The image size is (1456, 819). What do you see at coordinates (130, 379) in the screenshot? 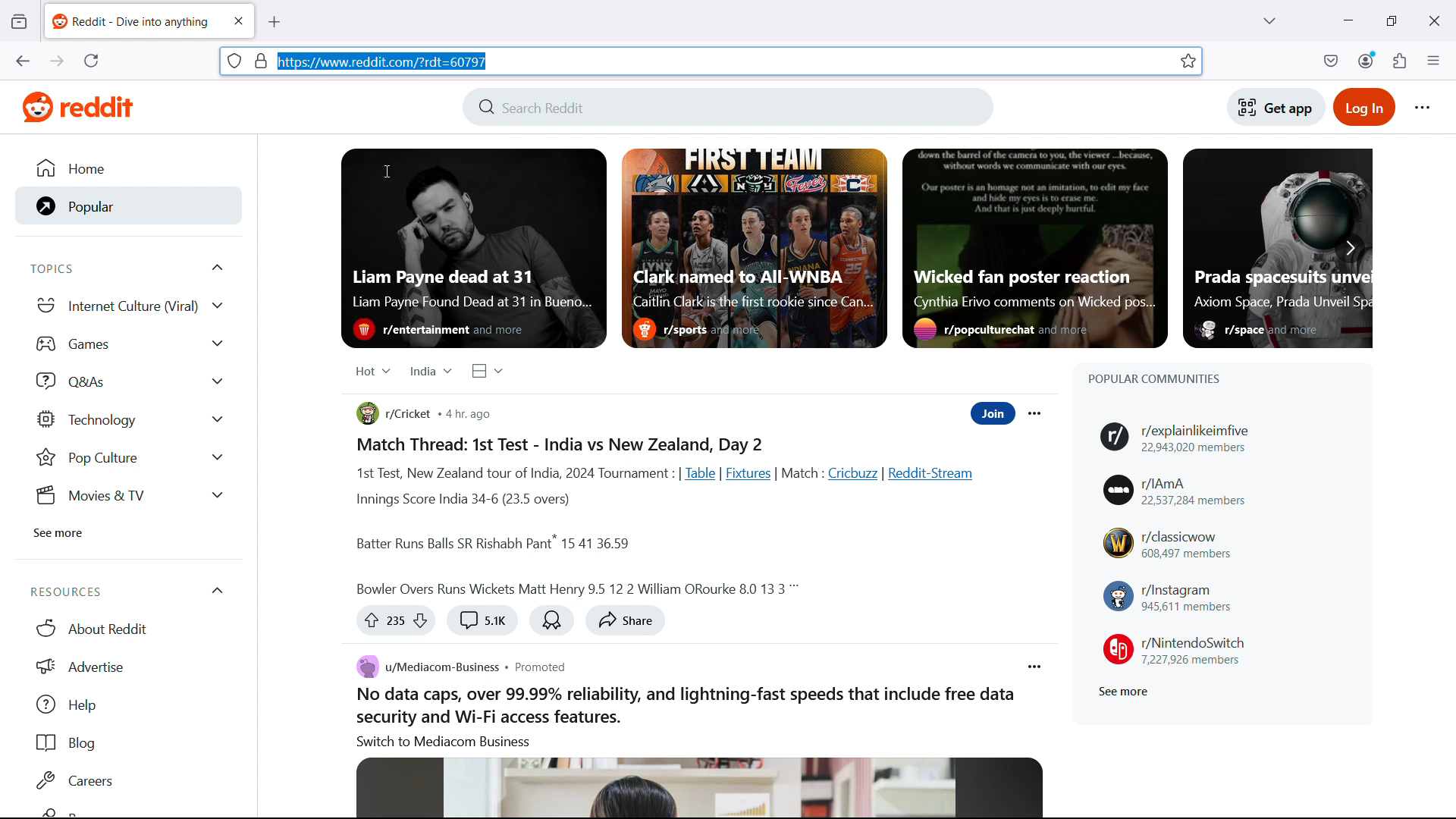
I see `Q and As` at bounding box center [130, 379].